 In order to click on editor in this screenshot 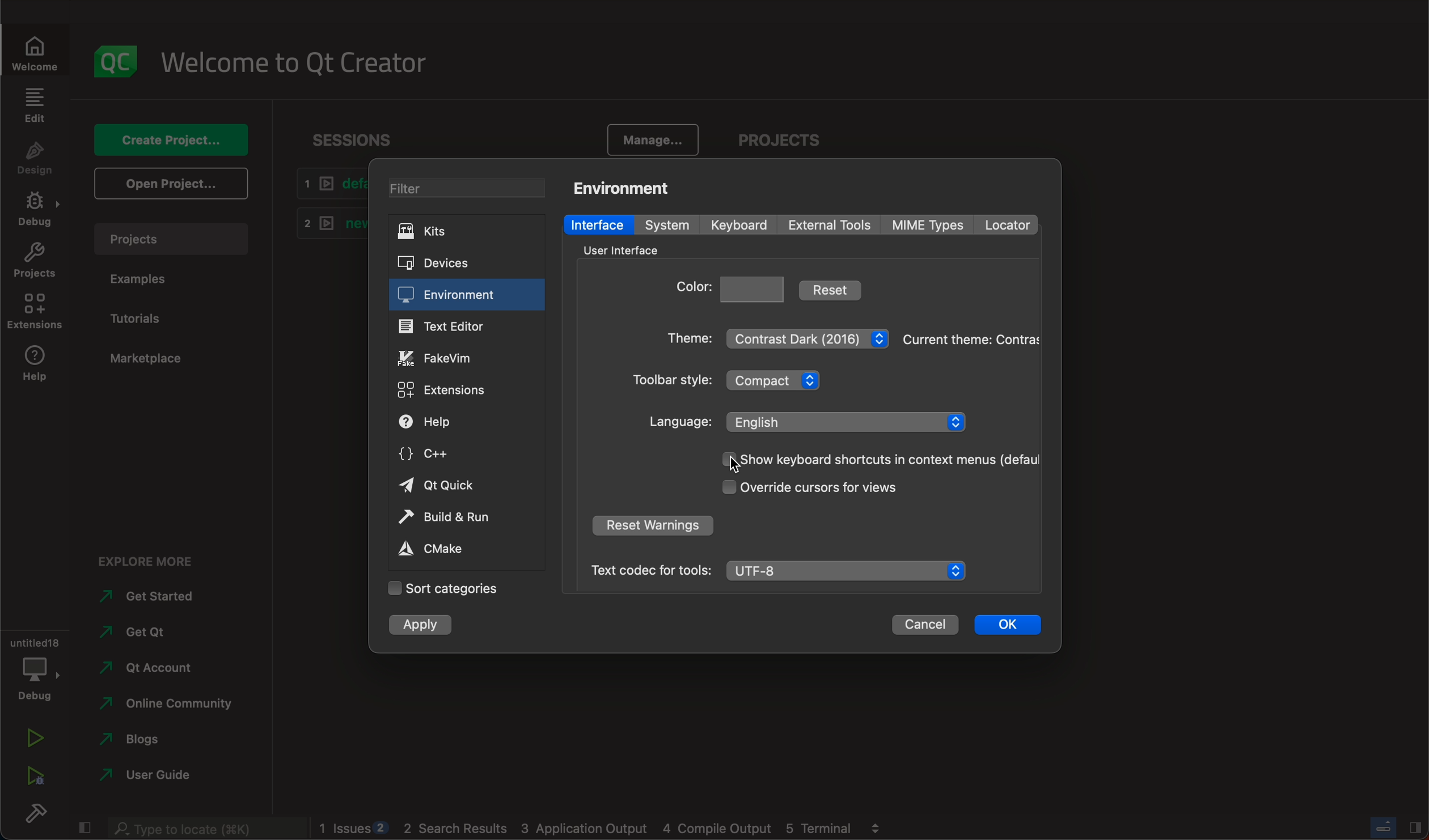, I will do `click(449, 328)`.